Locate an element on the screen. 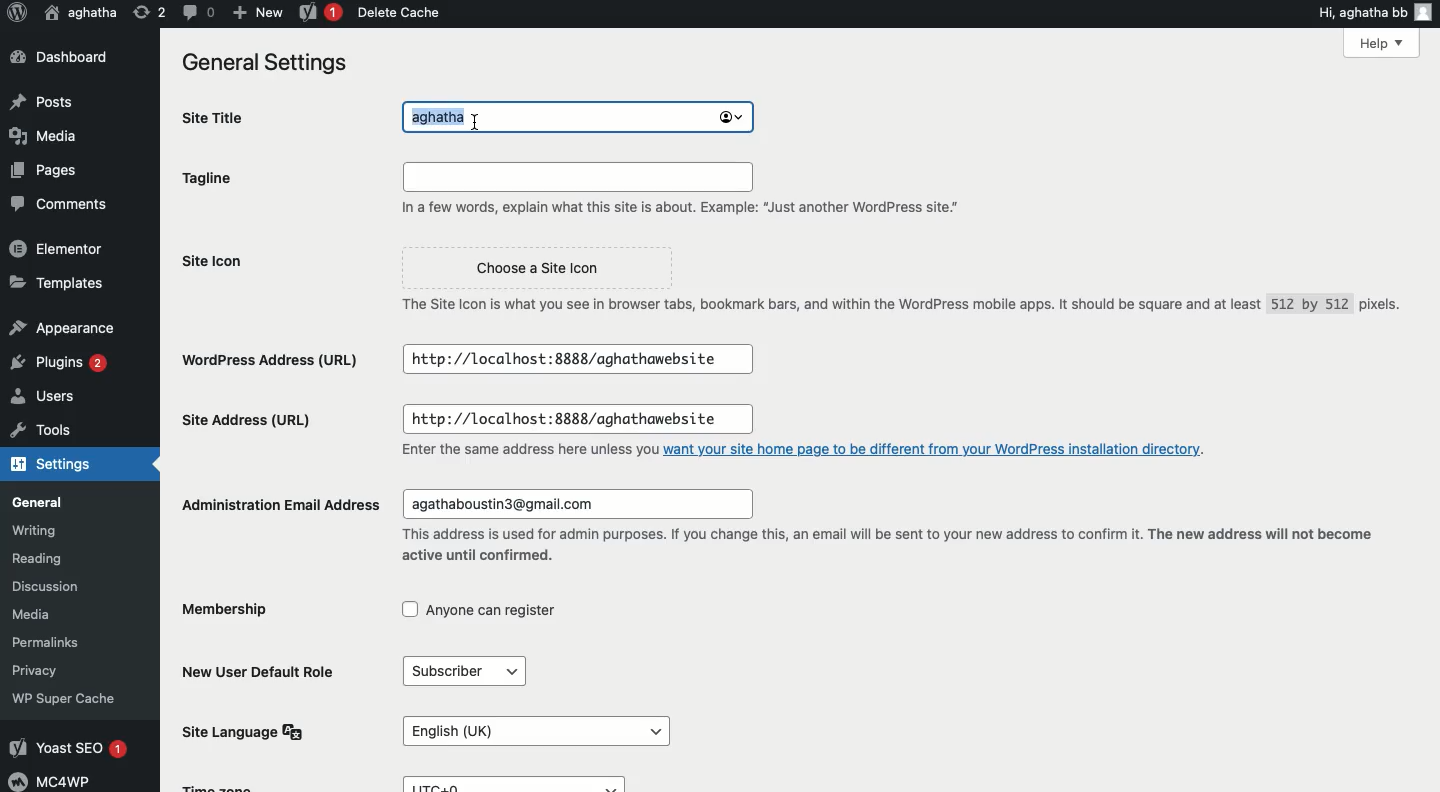 This screenshot has width=1440, height=792. Privacy is located at coordinates (38, 669).